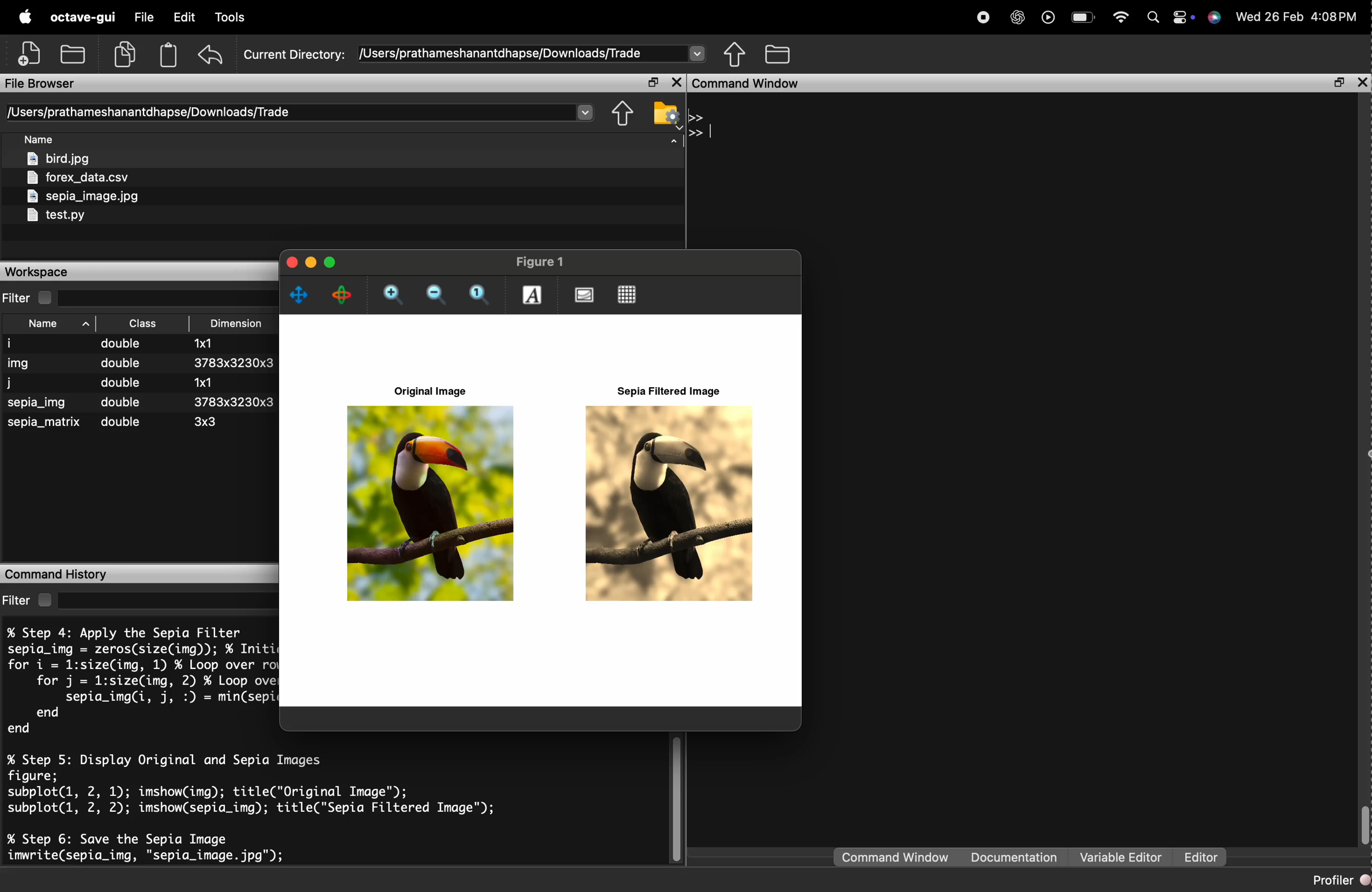 The image size is (1372, 892). I want to click on open in separate window, so click(1340, 83).